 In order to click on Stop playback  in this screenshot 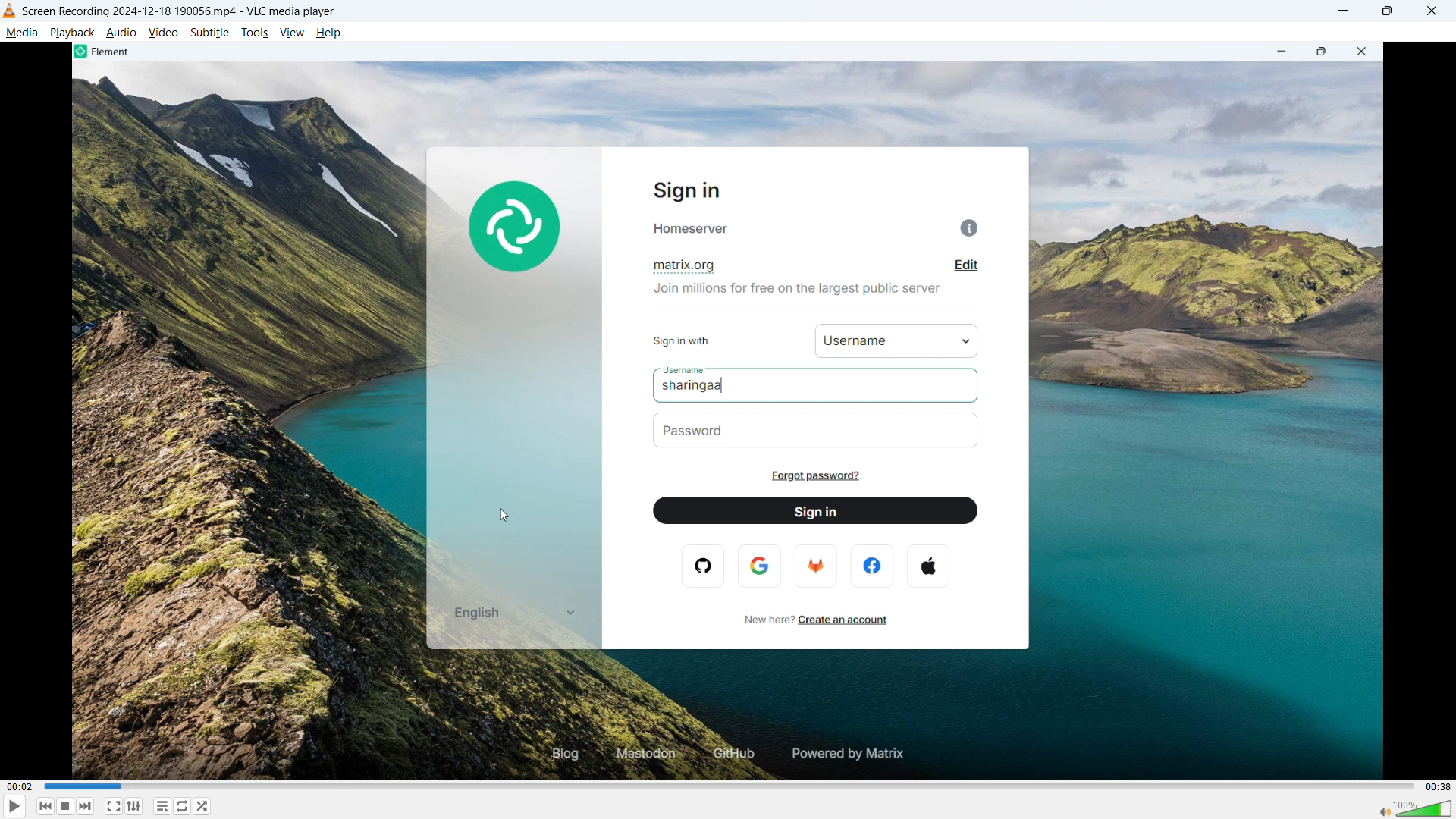, I will do `click(67, 805)`.